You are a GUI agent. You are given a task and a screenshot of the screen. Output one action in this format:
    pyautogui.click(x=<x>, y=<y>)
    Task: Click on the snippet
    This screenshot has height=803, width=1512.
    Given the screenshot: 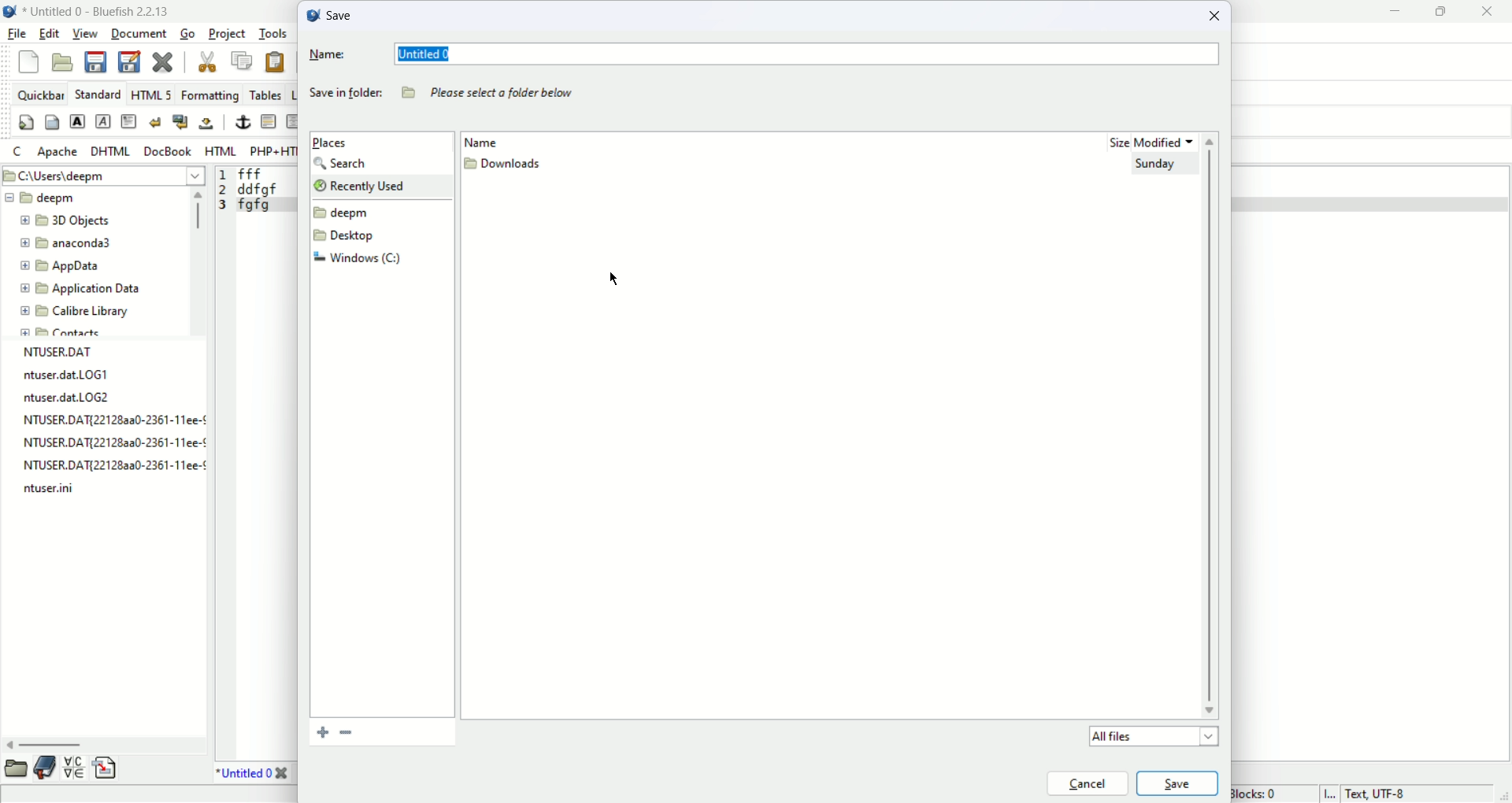 What is the action you would take?
    pyautogui.click(x=106, y=770)
    